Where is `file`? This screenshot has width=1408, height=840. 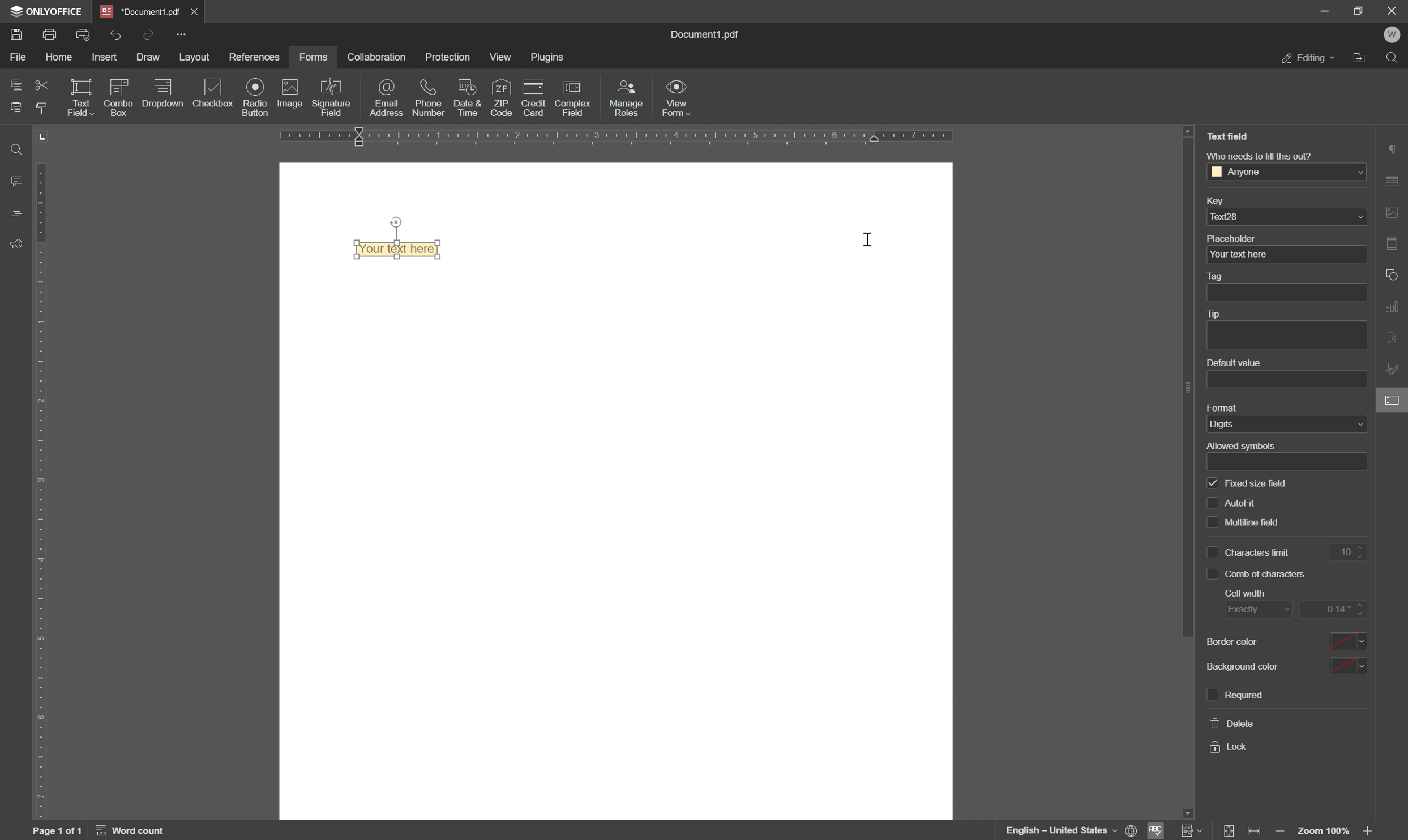
file is located at coordinates (19, 60).